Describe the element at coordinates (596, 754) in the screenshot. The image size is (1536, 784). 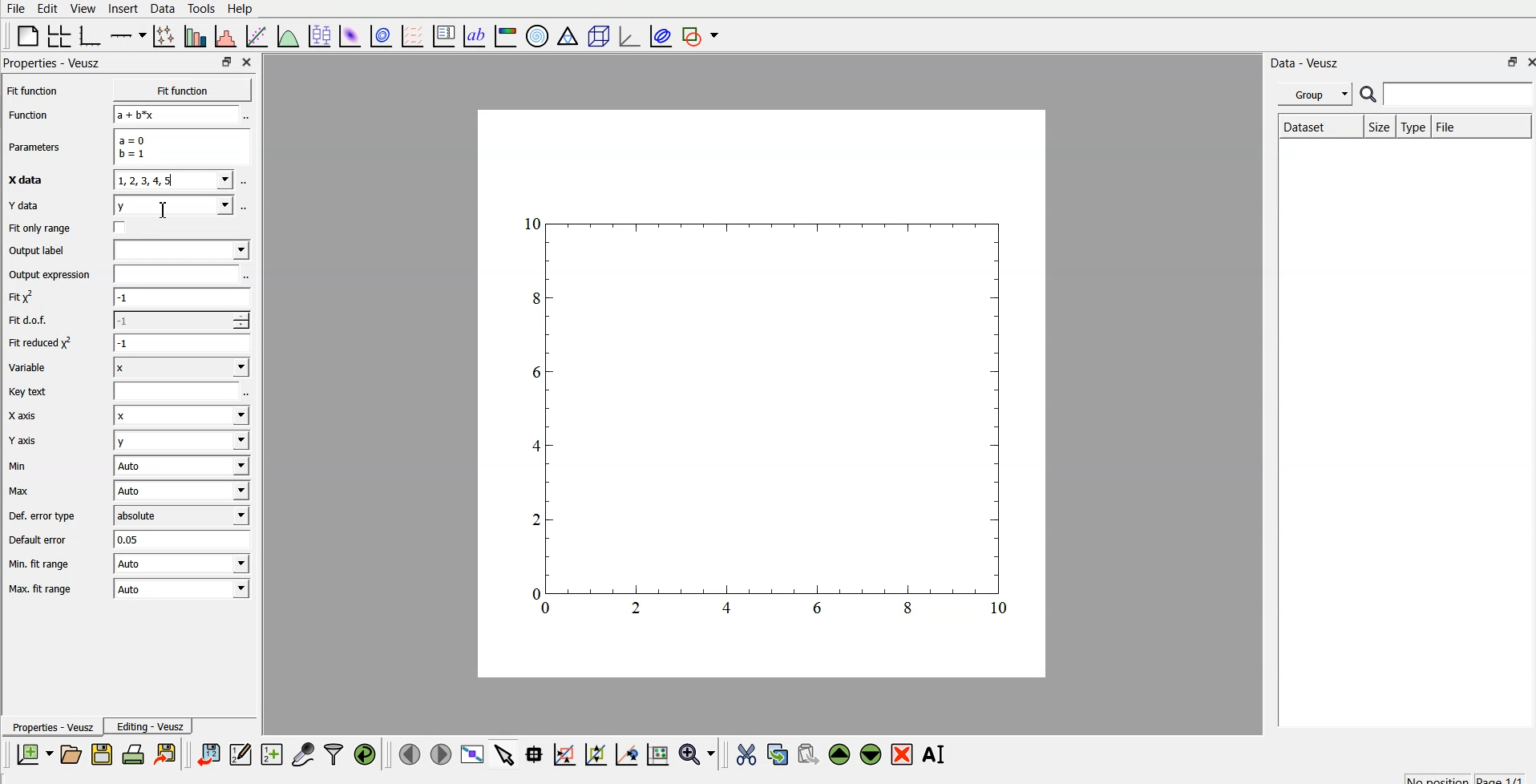
I see `click to zoom out on graph axes` at that location.